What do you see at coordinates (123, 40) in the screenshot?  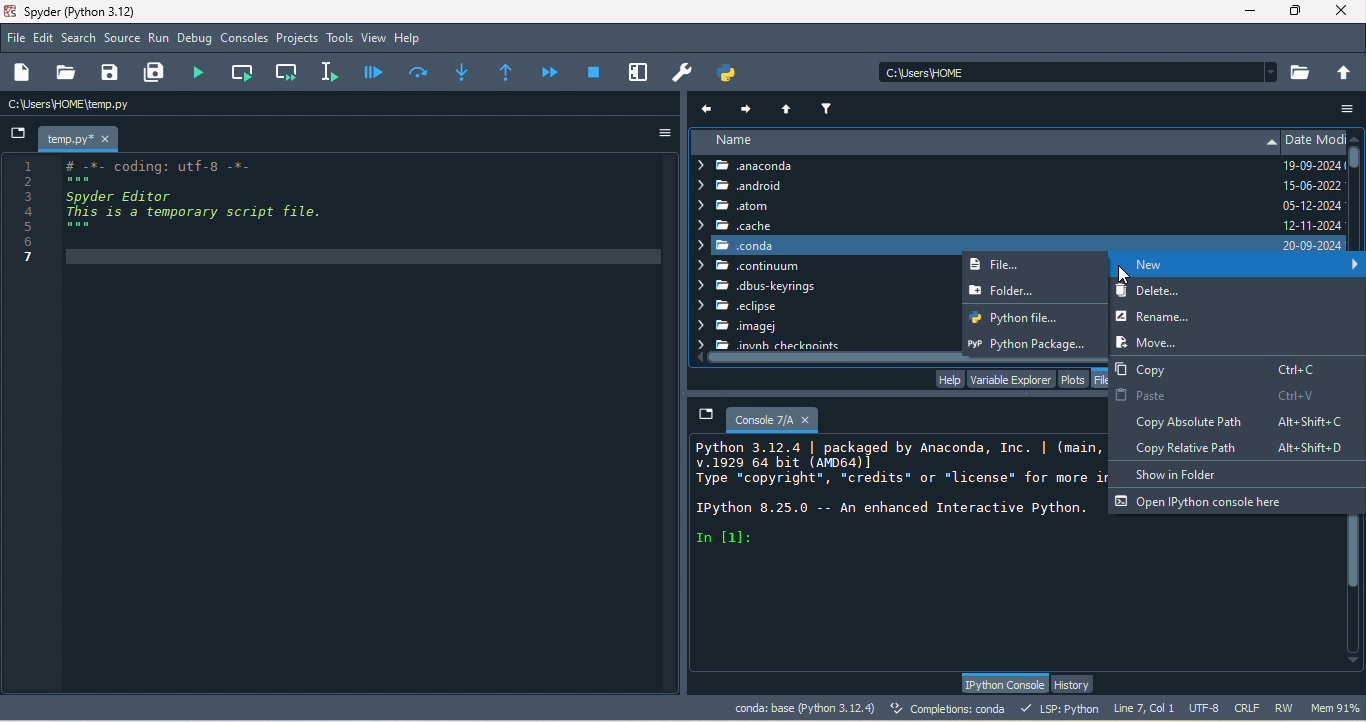 I see `source` at bounding box center [123, 40].